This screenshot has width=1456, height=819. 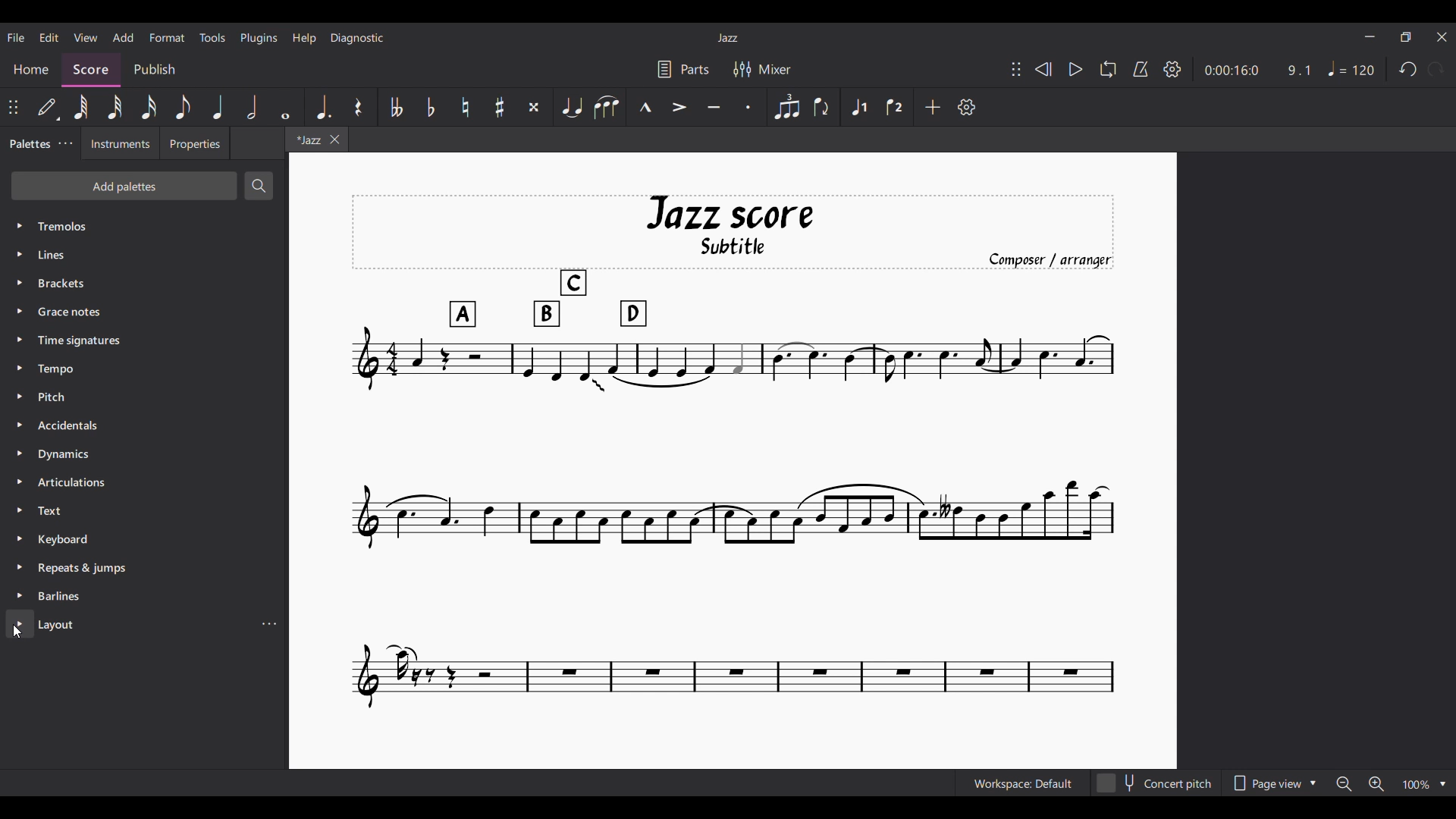 I want to click on Brackets, so click(x=144, y=283).